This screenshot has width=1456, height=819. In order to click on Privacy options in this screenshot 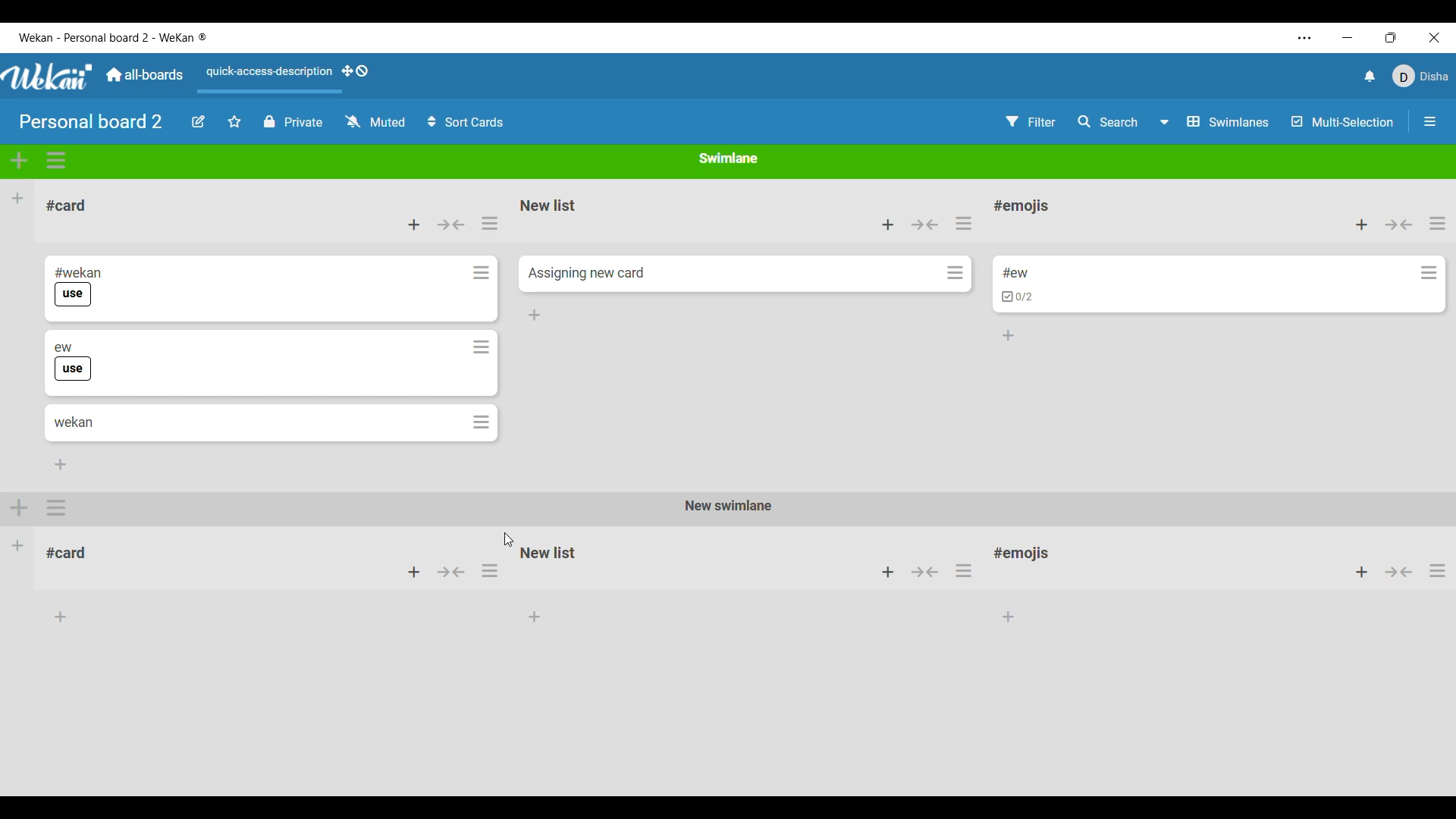, I will do `click(293, 122)`.